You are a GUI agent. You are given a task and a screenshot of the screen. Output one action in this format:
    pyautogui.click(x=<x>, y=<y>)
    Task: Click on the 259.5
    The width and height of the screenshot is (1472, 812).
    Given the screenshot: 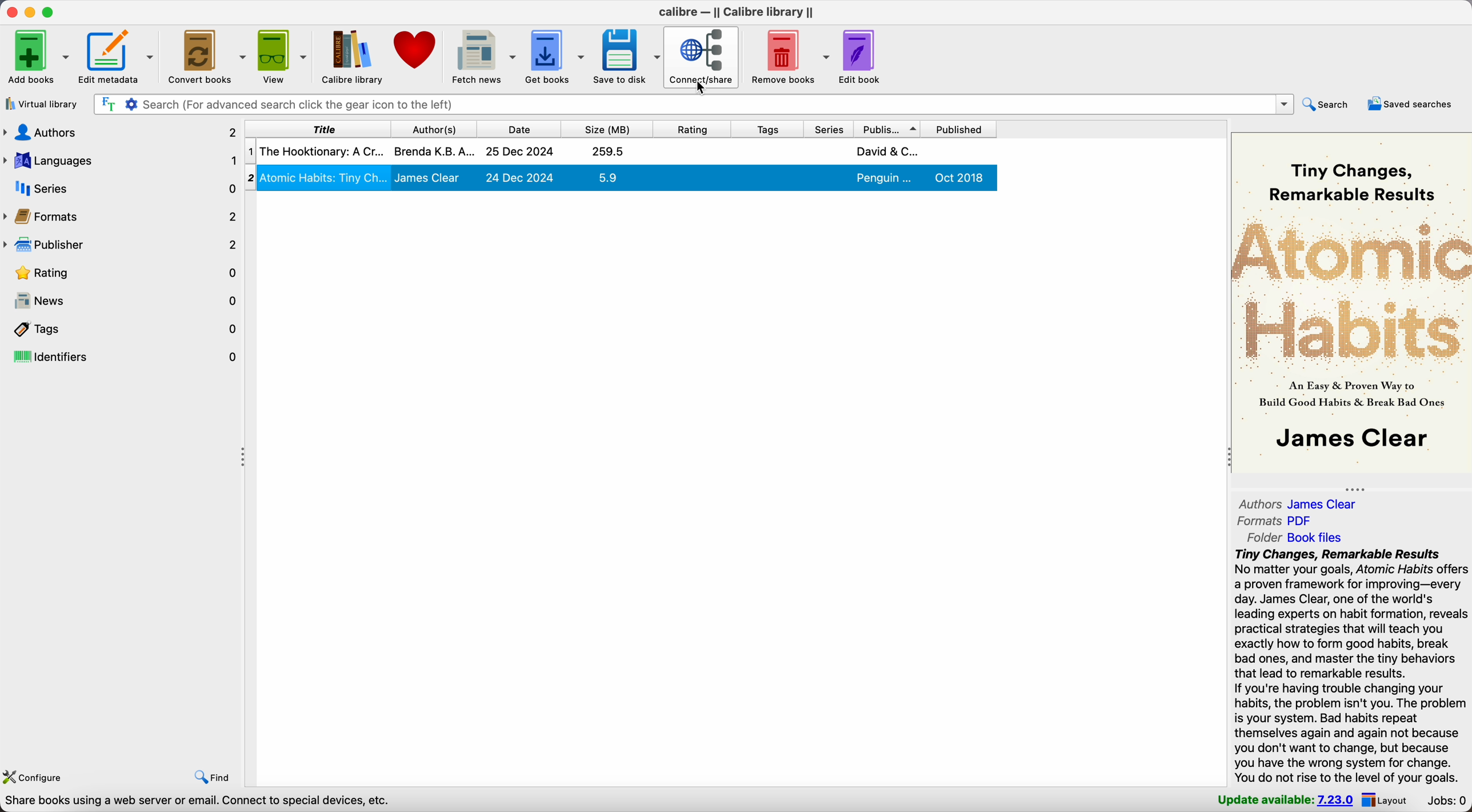 What is the action you would take?
    pyautogui.click(x=609, y=151)
    